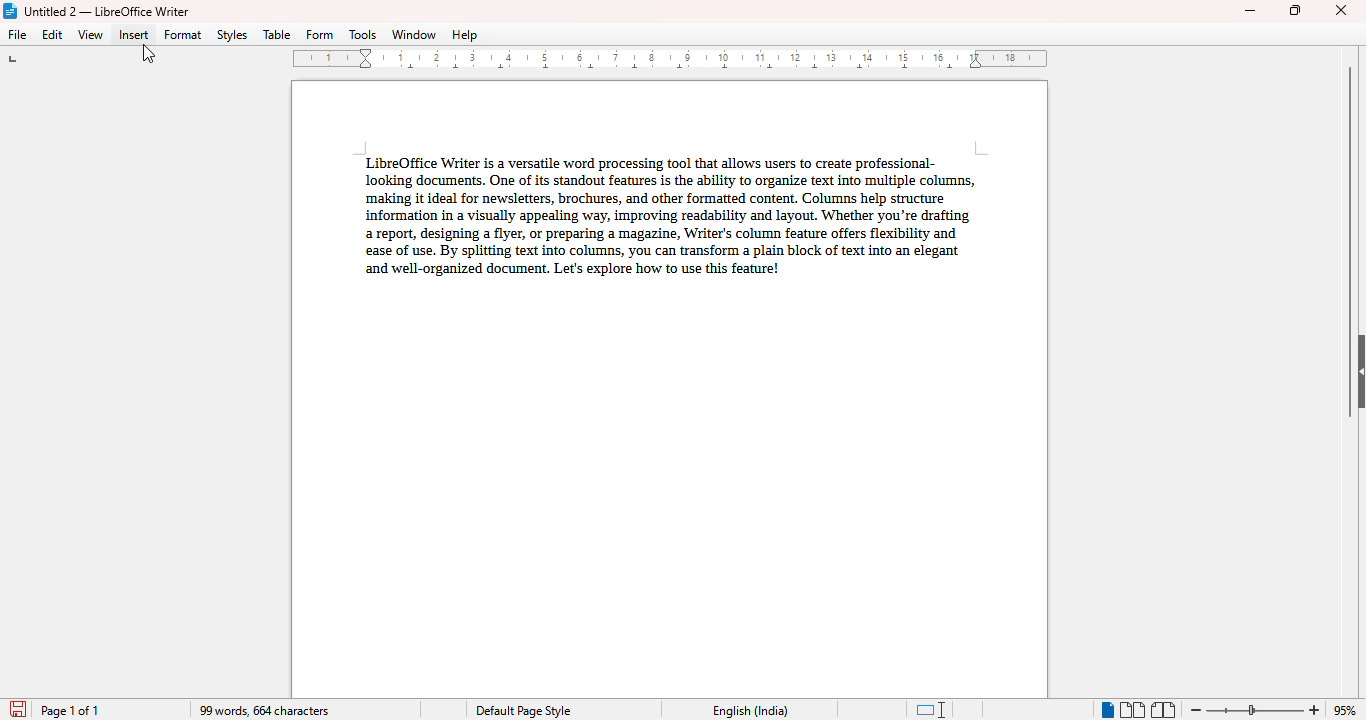 The width and height of the screenshot is (1366, 720). Describe the element at coordinates (665, 211) in the screenshot. I see `LibreOffice Writer is a versatile word processing tool that allows users to create professional looking documents. One of its standout features is the ability to organize text into multiple columns,‘ making it ideal for newsletters, brochures, and other formatted content. Columns help structure information in a visually appealing way, improving readability and layout. Whether you're drafting a report, designing a flyer, or preparing a magazine, Writer's column feature offers flexibility and ease of use. By splitting text into columns, you can transform a plain block of text into an elegant and well-organized document. Let's explore how $0 use this features!` at that location.